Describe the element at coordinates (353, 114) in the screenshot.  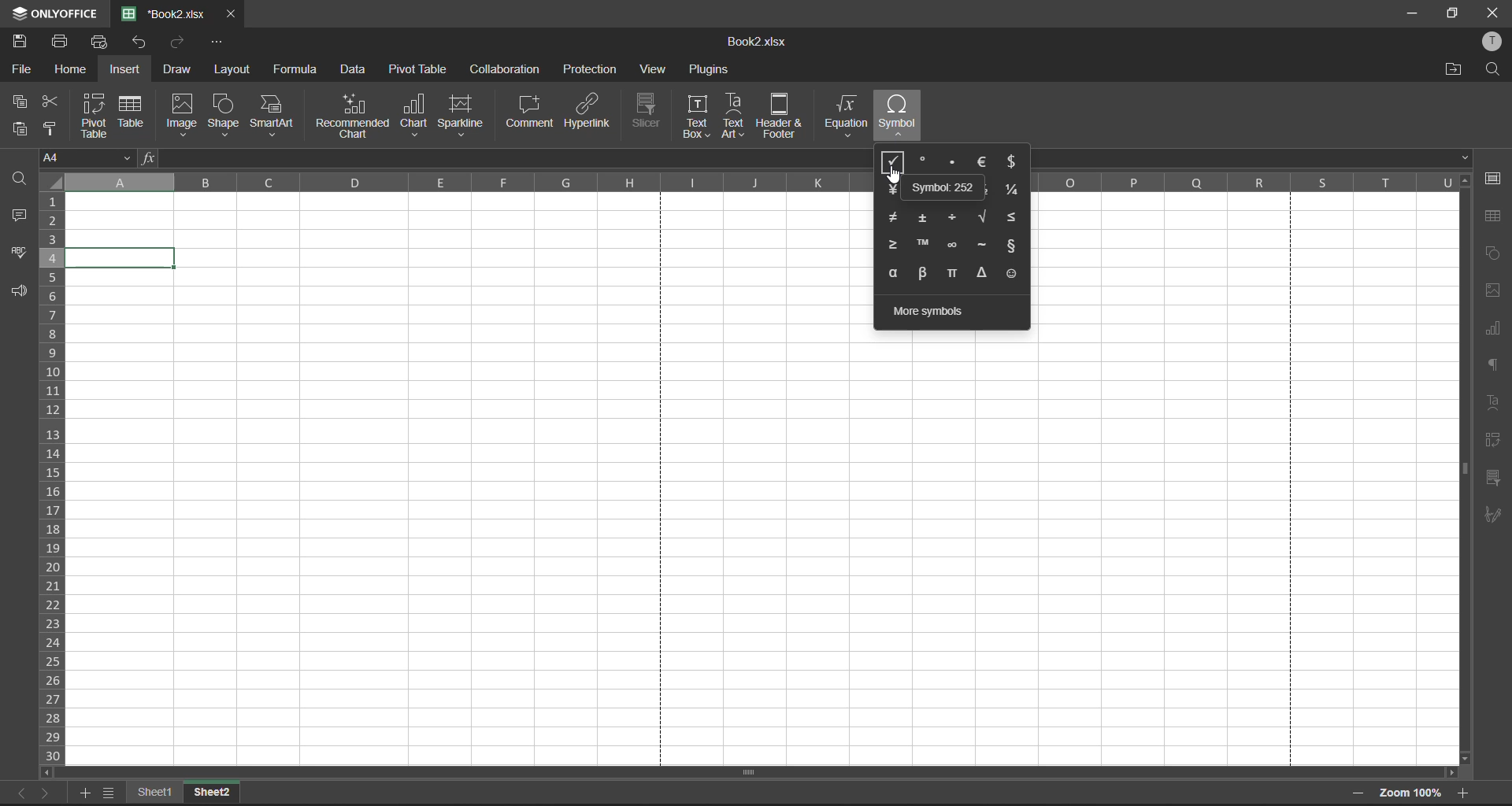
I see `recommended chart` at that location.